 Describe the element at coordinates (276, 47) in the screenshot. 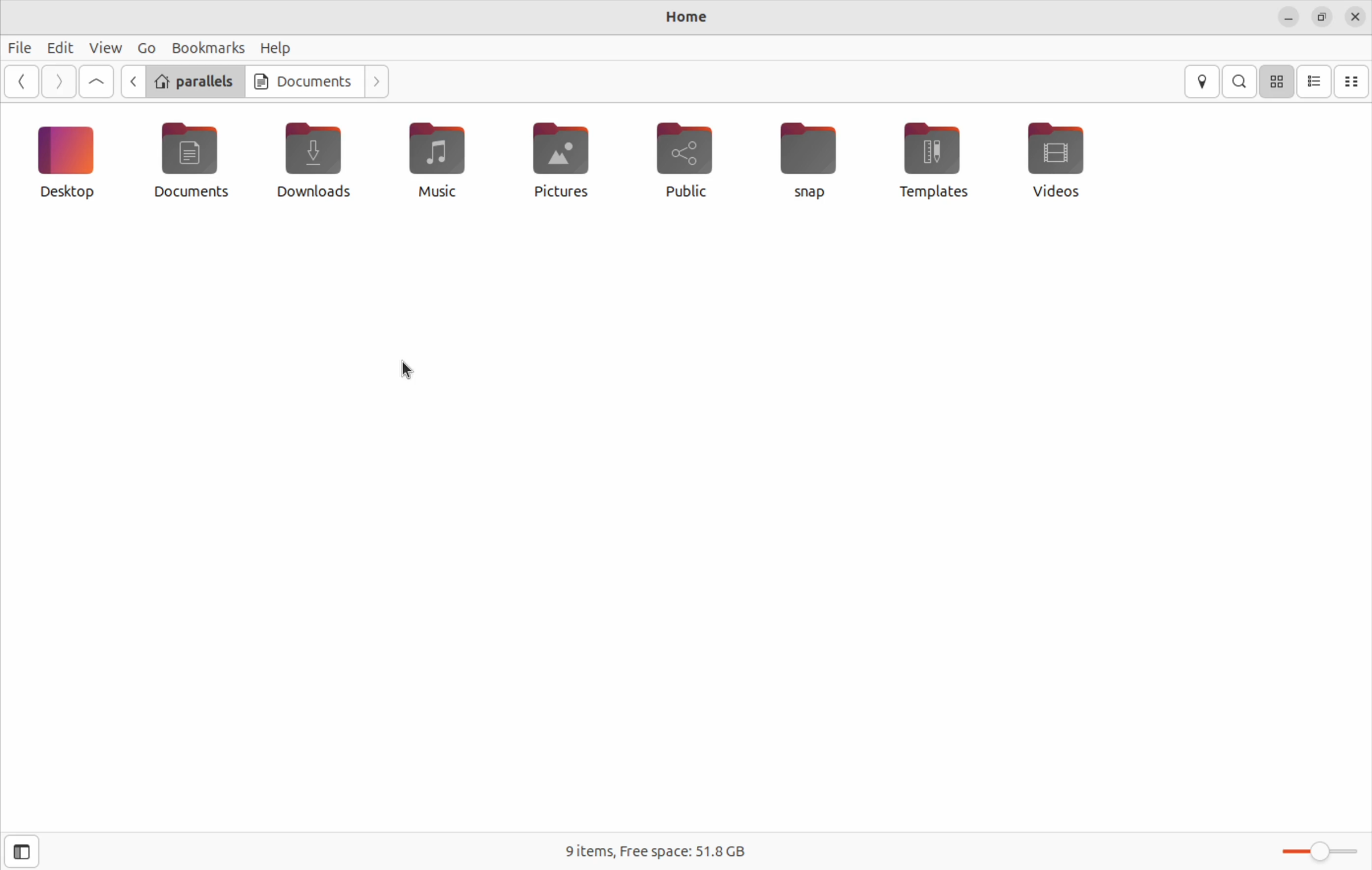

I see `Help` at that location.